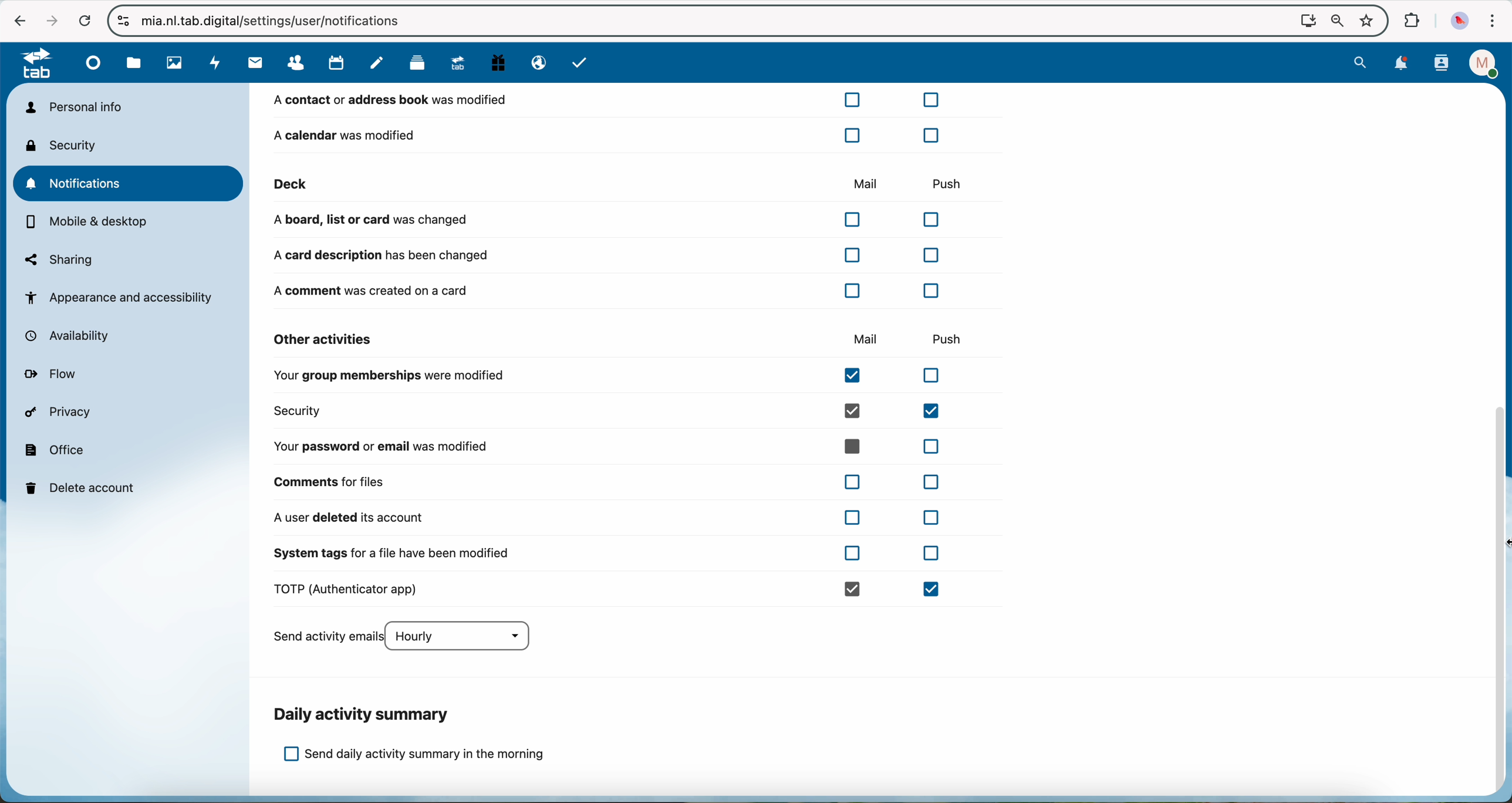 This screenshot has height=803, width=1512. What do you see at coordinates (612, 446) in the screenshot?
I see `your password or email was modified` at bounding box center [612, 446].